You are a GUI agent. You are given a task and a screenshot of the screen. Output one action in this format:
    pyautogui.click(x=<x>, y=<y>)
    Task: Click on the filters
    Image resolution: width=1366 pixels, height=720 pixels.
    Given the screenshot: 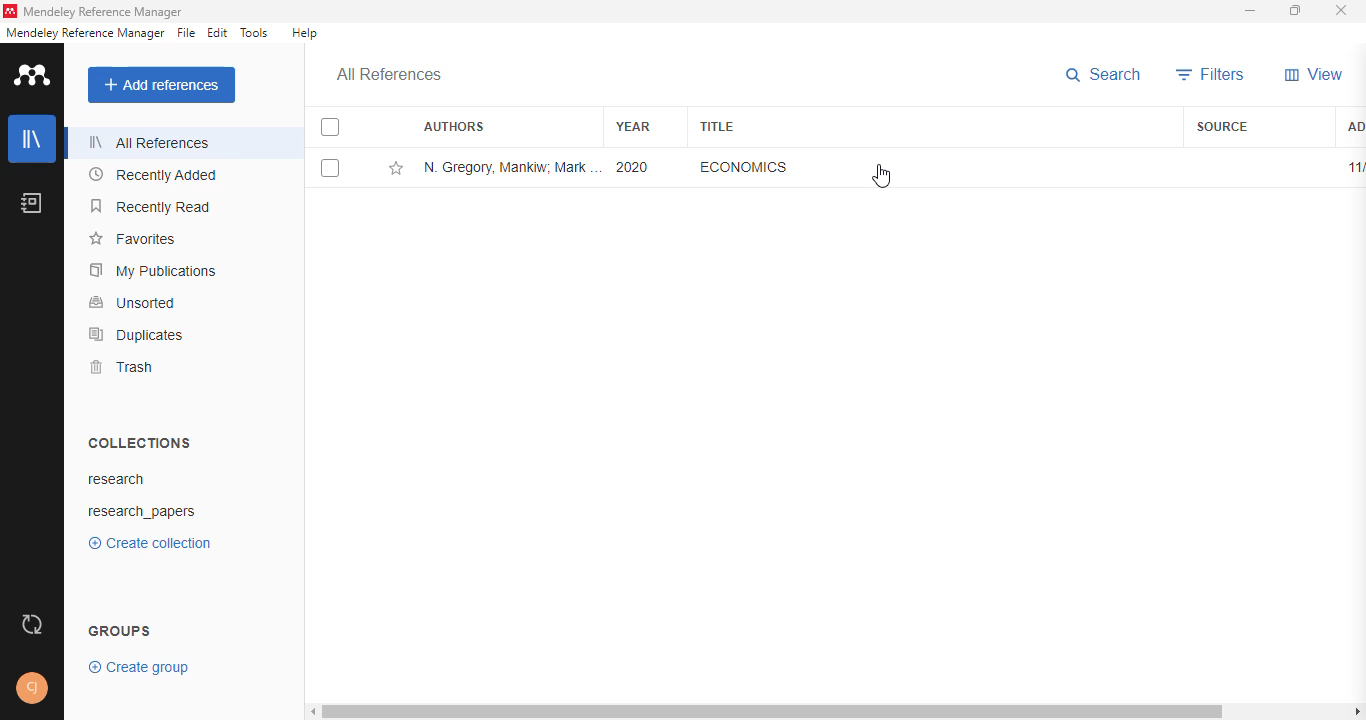 What is the action you would take?
    pyautogui.click(x=1211, y=74)
    